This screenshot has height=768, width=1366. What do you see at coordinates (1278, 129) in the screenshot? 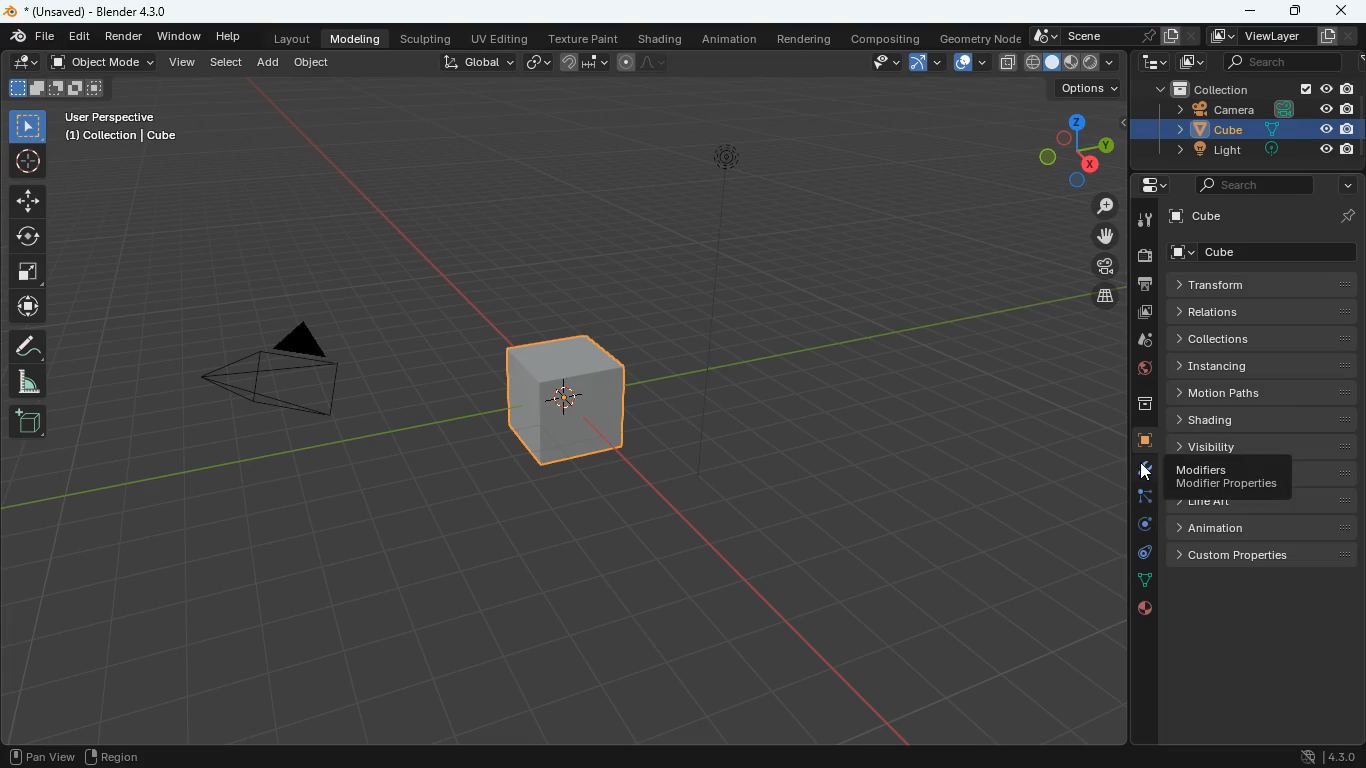
I see `` at bounding box center [1278, 129].